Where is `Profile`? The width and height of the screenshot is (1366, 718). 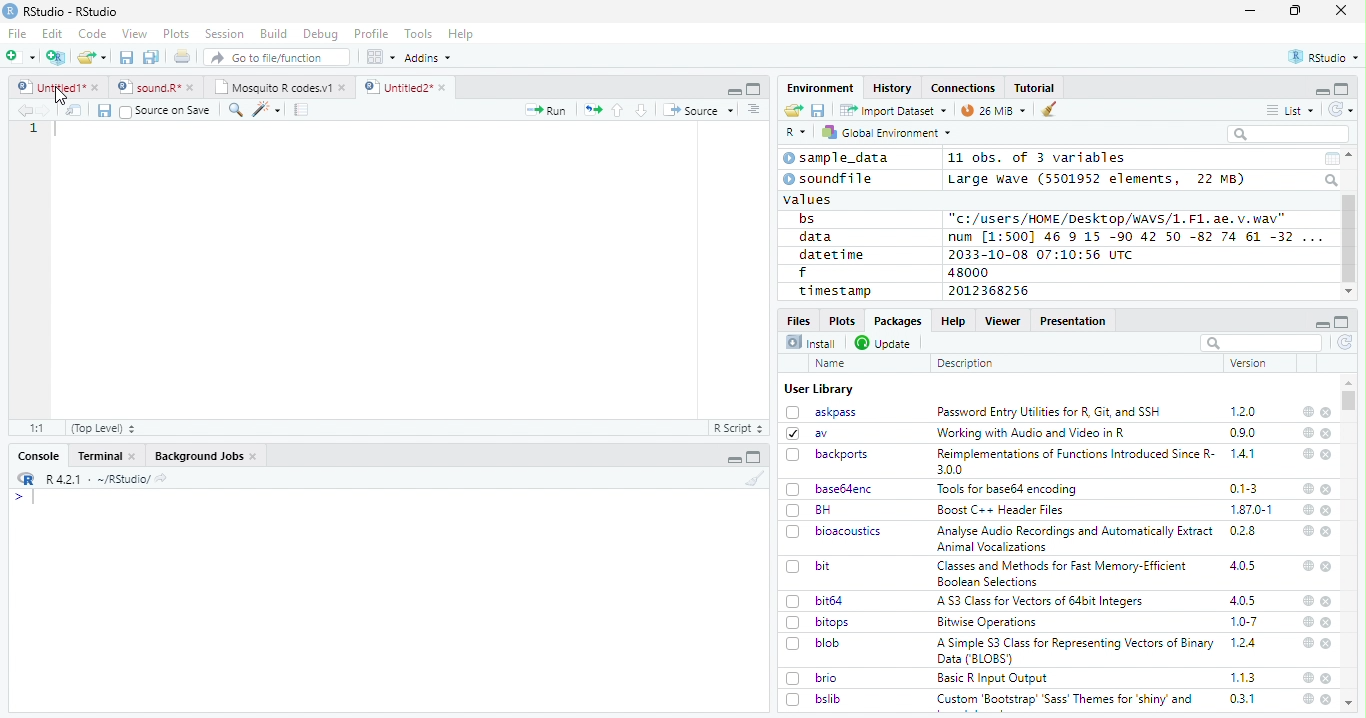
Profile is located at coordinates (371, 34).